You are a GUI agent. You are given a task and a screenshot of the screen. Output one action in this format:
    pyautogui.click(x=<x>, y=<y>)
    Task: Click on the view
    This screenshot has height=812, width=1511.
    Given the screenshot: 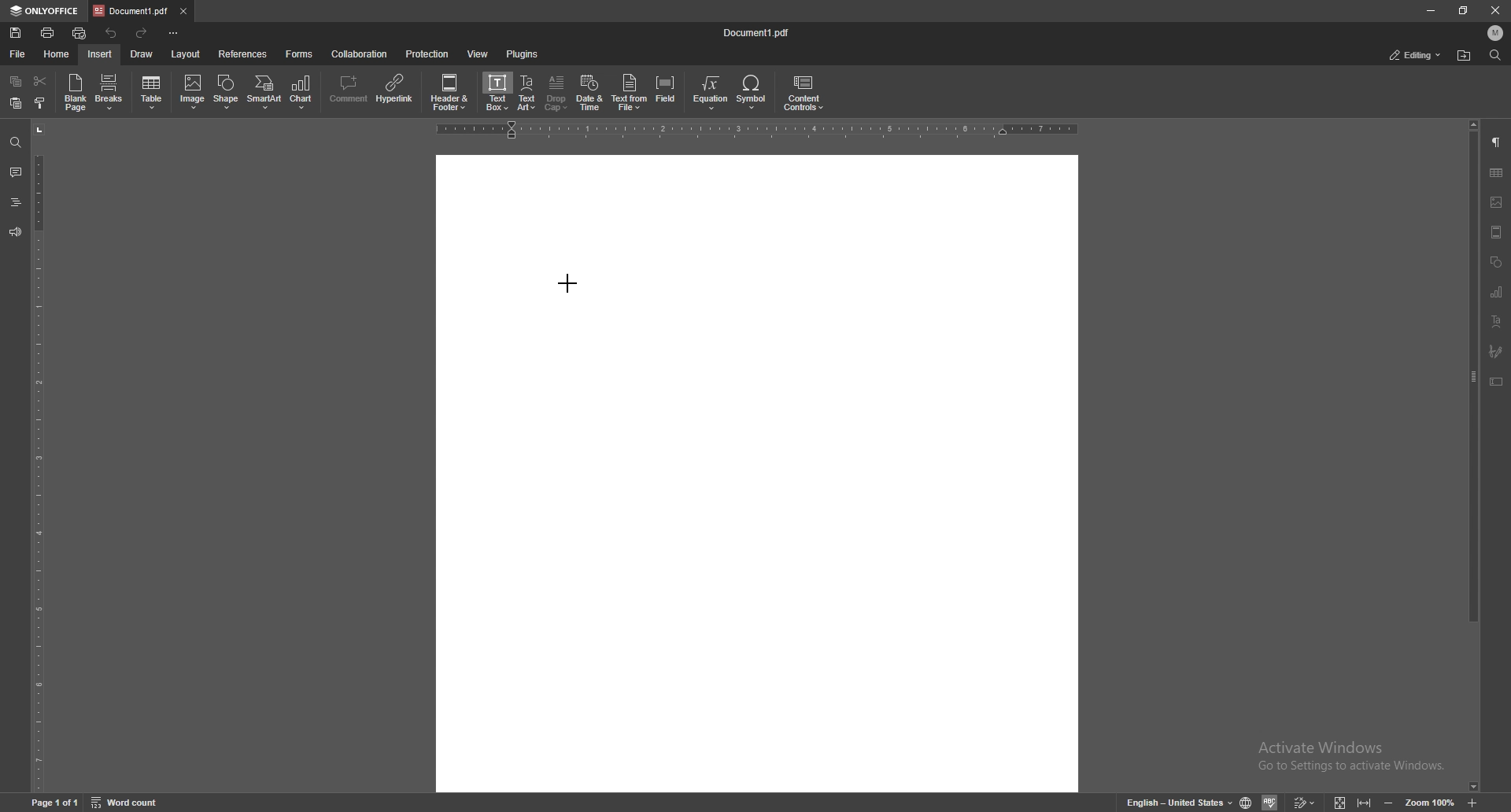 What is the action you would take?
    pyautogui.click(x=478, y=54)
    